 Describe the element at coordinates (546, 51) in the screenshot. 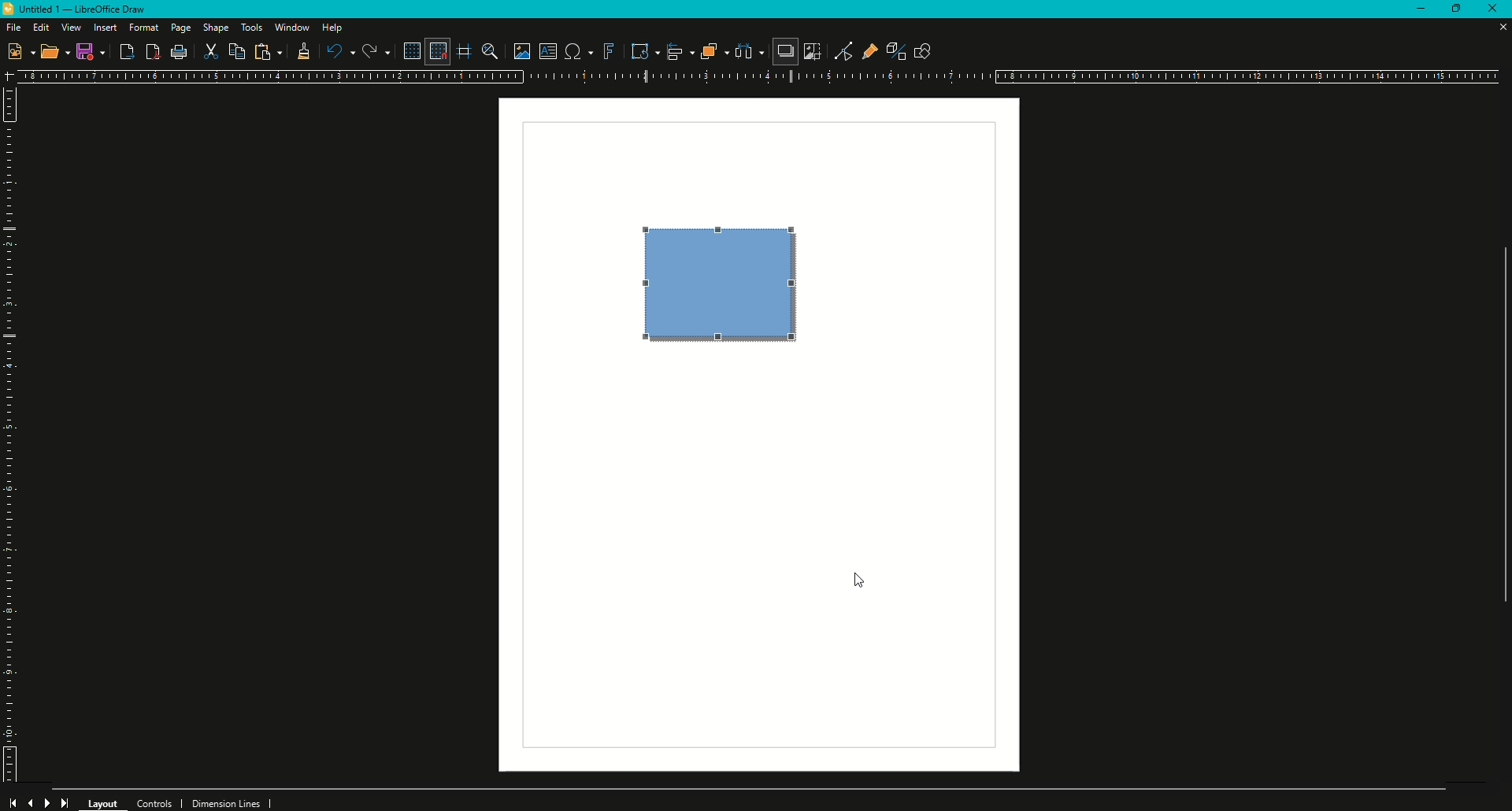

I see `Insert Text Box` at that location.